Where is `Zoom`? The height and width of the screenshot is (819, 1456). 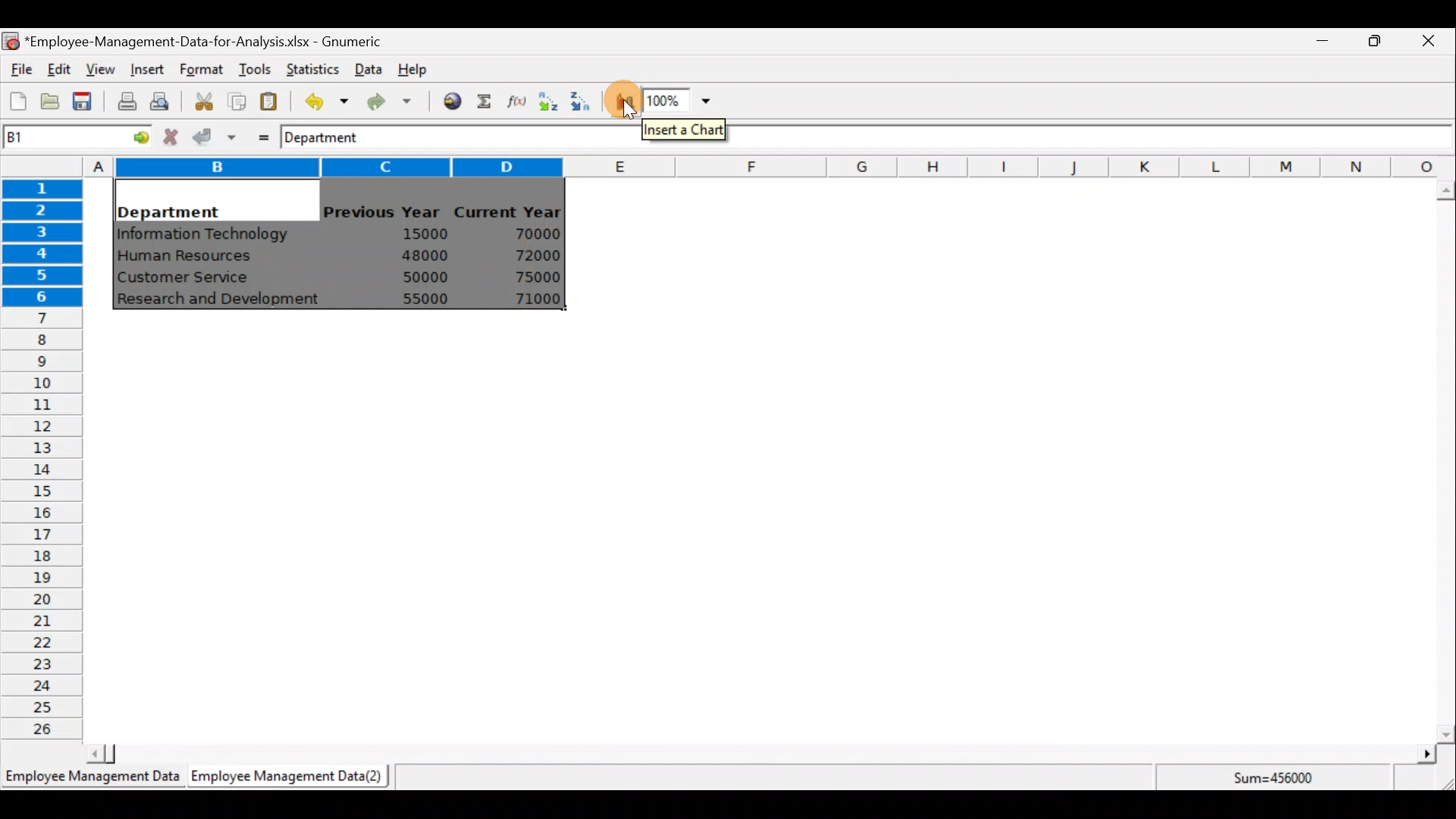 Zoom is located at coordinates (678, 101).